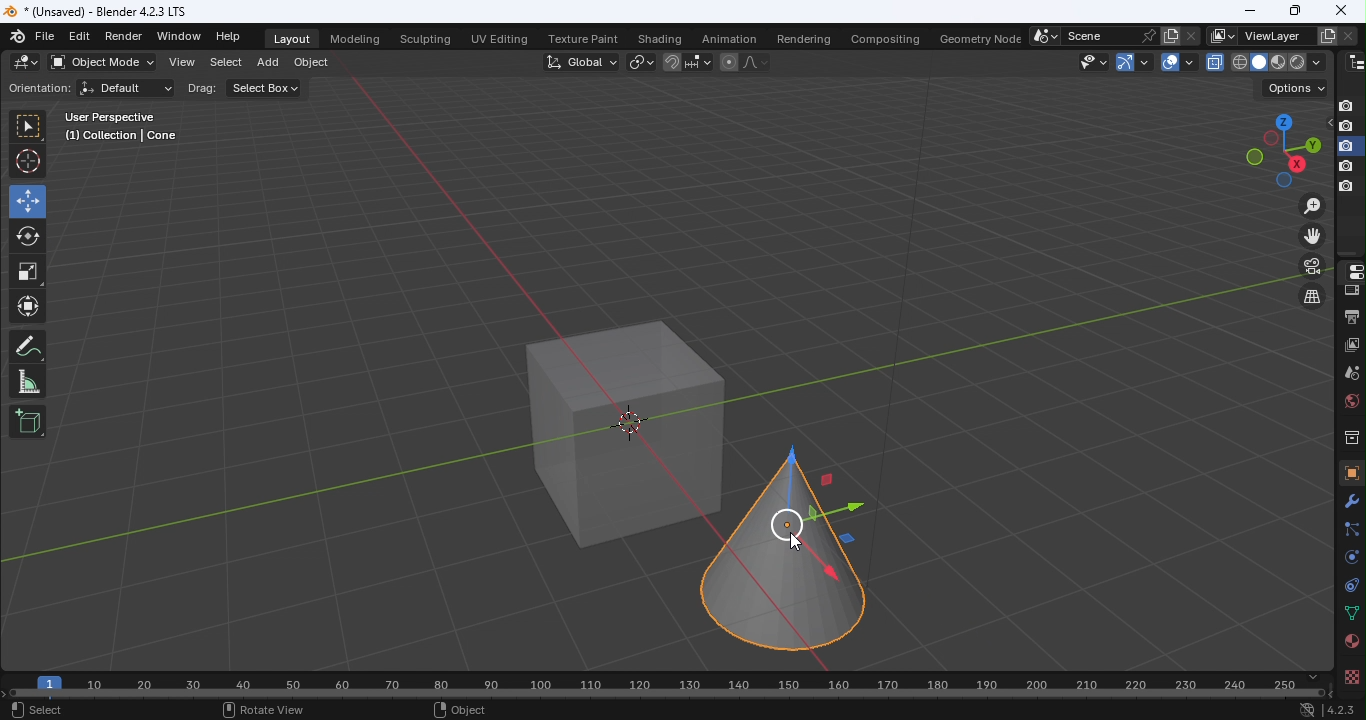  What do you see at coordinates (1346, 187) in the screenshot?
I see `disable in renders` at bounding box center [1346, 187].